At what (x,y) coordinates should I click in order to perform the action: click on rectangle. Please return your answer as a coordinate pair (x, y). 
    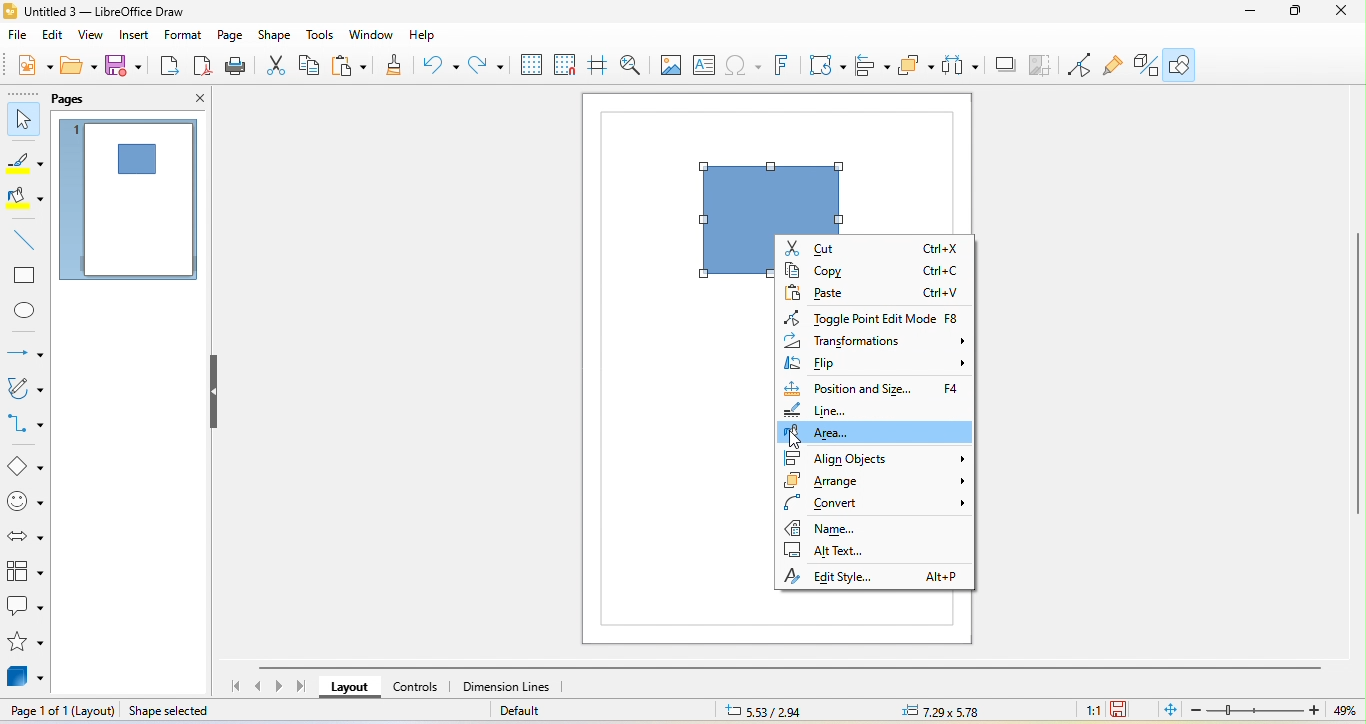
    Looking at the image, I should click on (24, 276).